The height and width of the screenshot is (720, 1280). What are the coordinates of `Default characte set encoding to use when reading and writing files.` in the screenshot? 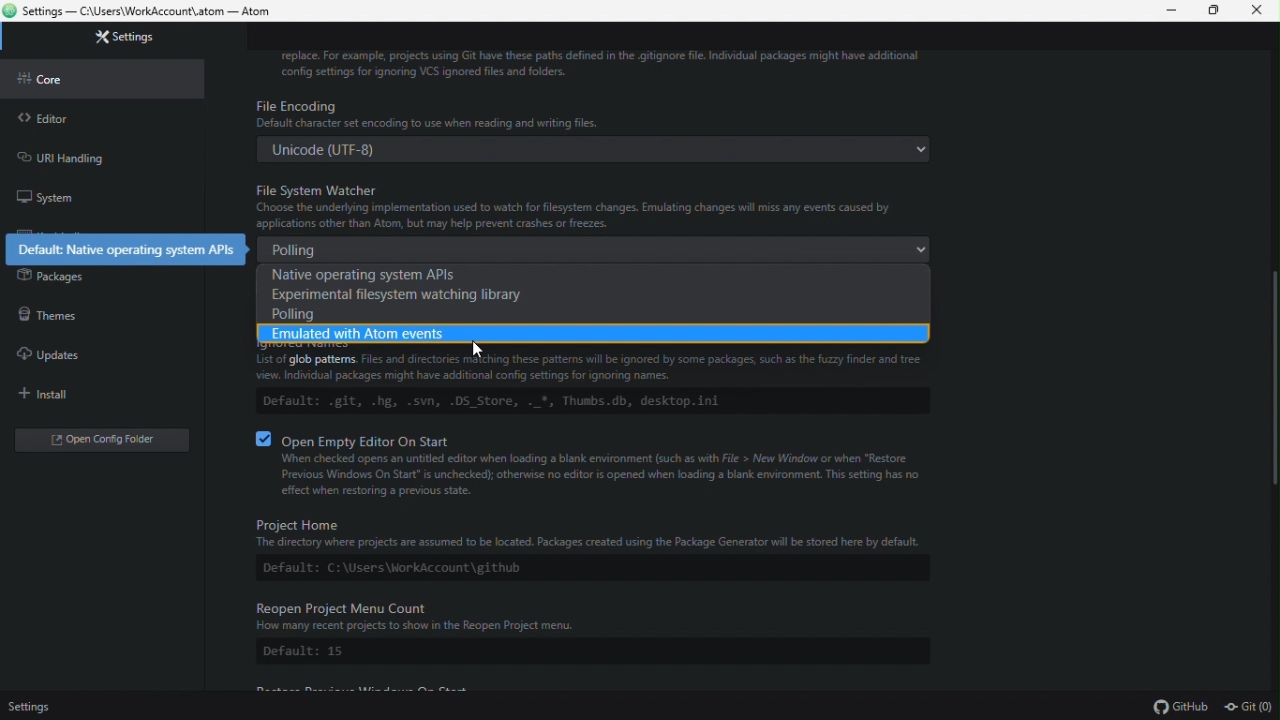 It's located at (565, 113).